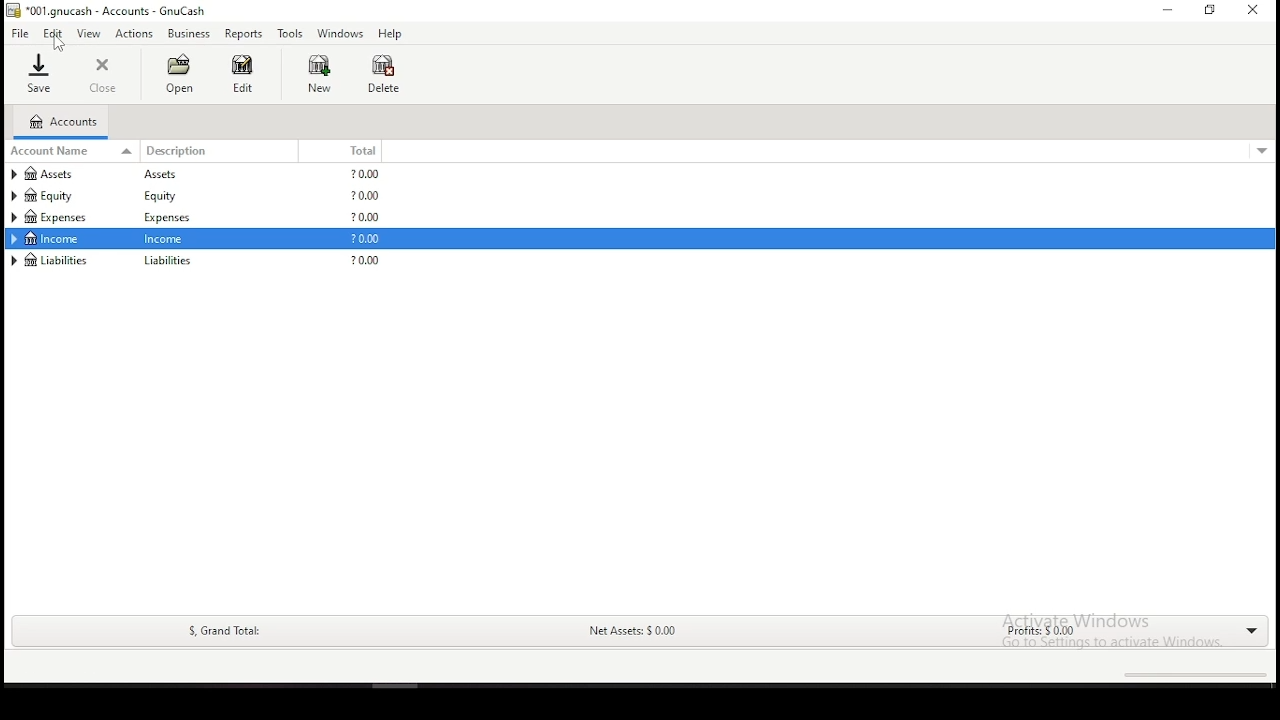  What do you see at coordinates (319, 73) in the screenshot?
I see `new` at bounding box center [319, 73].